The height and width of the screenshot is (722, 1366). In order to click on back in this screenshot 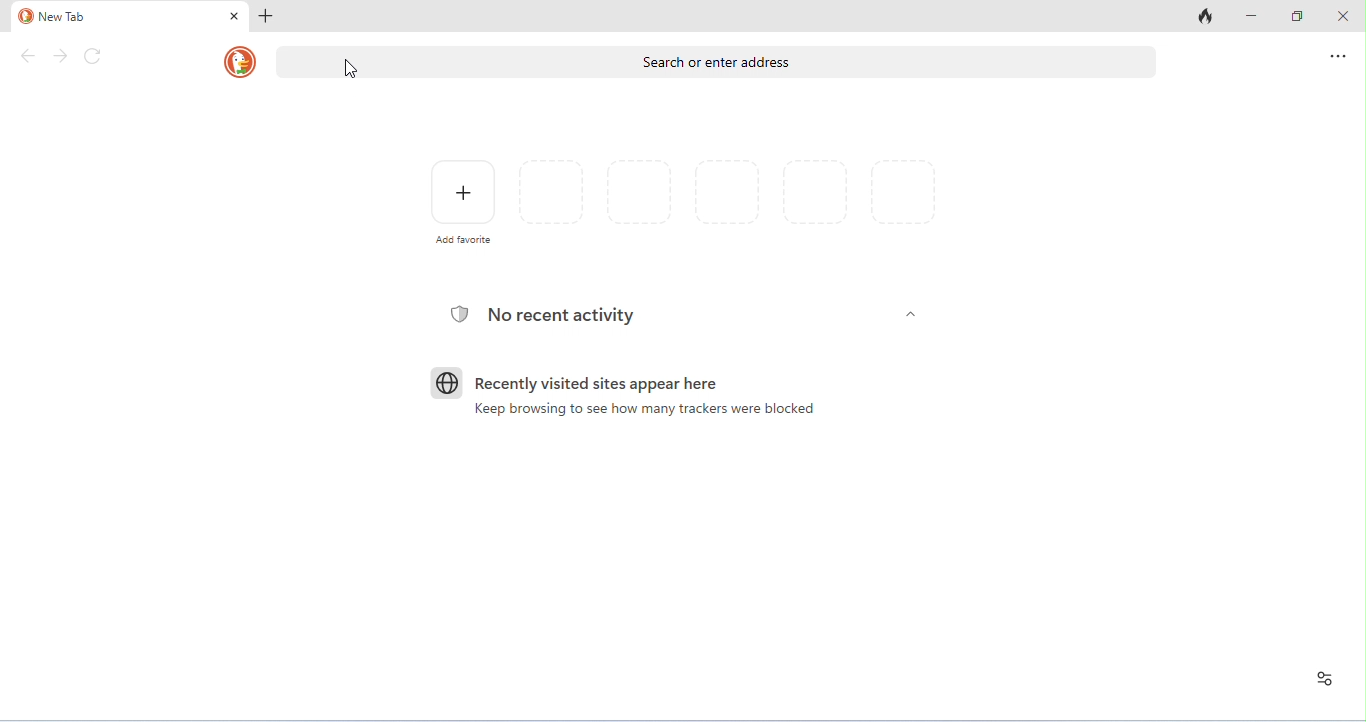, I will do `click(29, 56)`.